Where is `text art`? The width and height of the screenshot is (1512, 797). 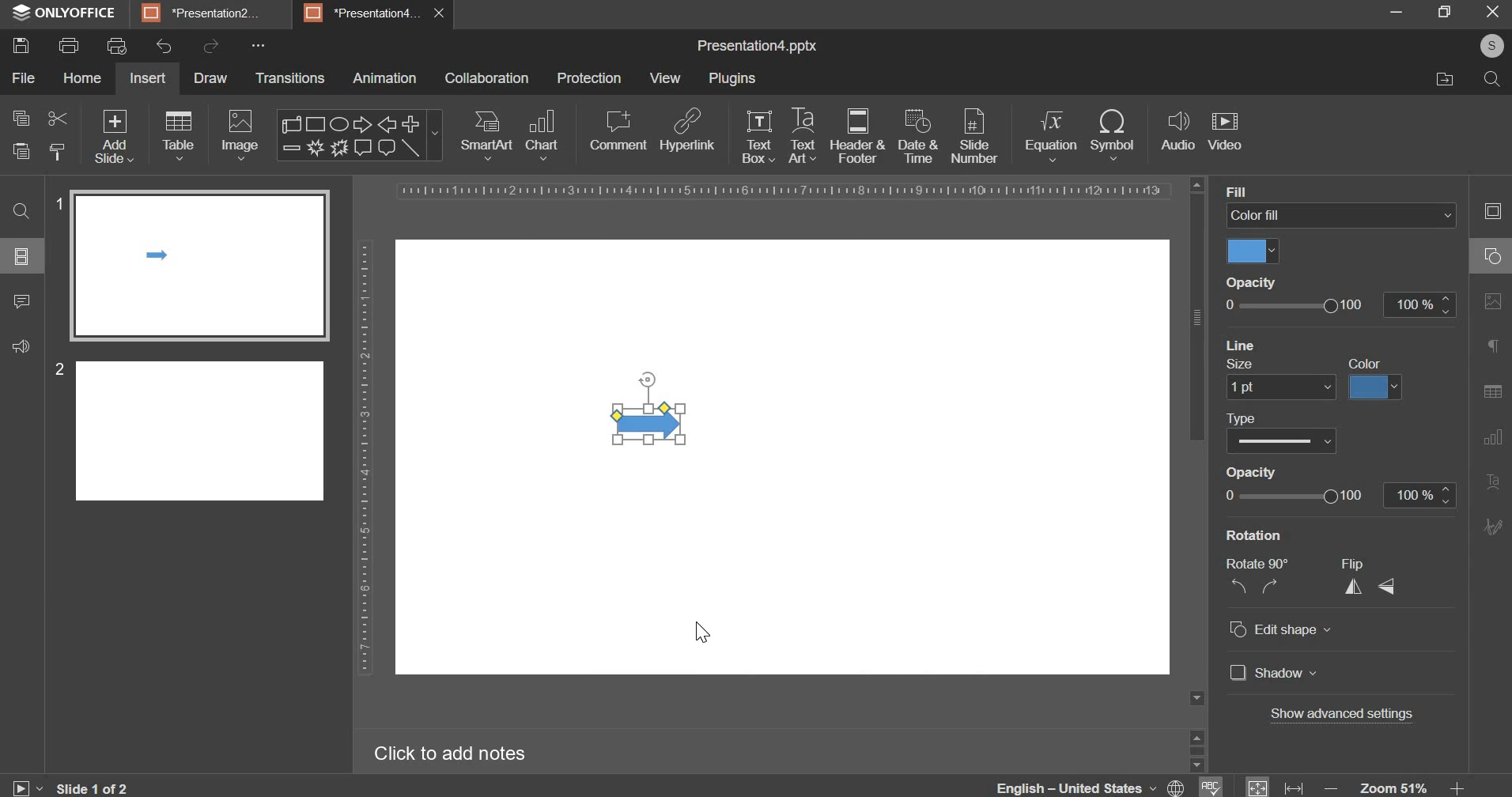 text art is located at coordinates (800, 136).